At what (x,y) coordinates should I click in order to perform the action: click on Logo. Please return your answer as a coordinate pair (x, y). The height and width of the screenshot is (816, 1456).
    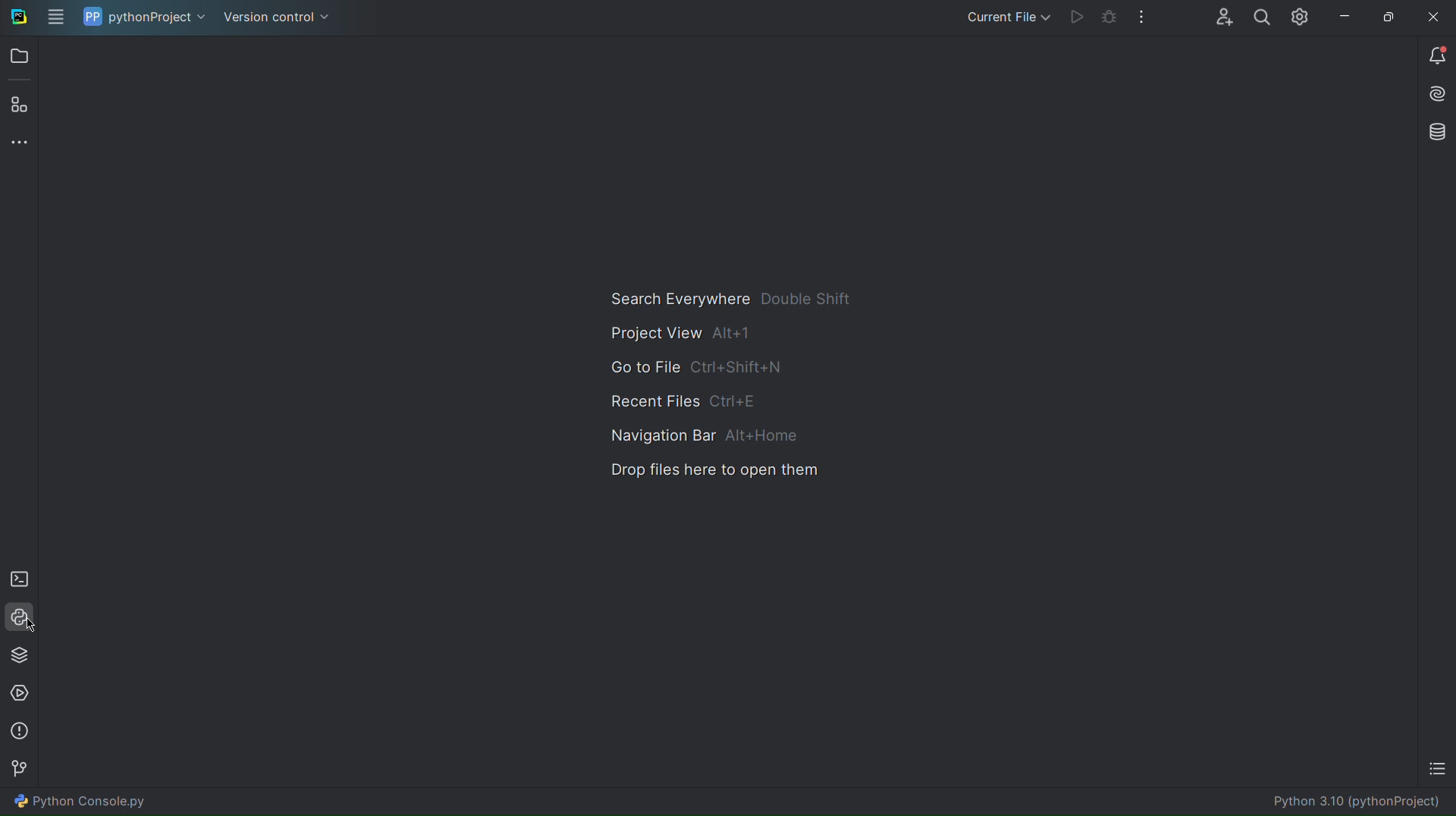
    Looking at the image, I should click on (17, 19).